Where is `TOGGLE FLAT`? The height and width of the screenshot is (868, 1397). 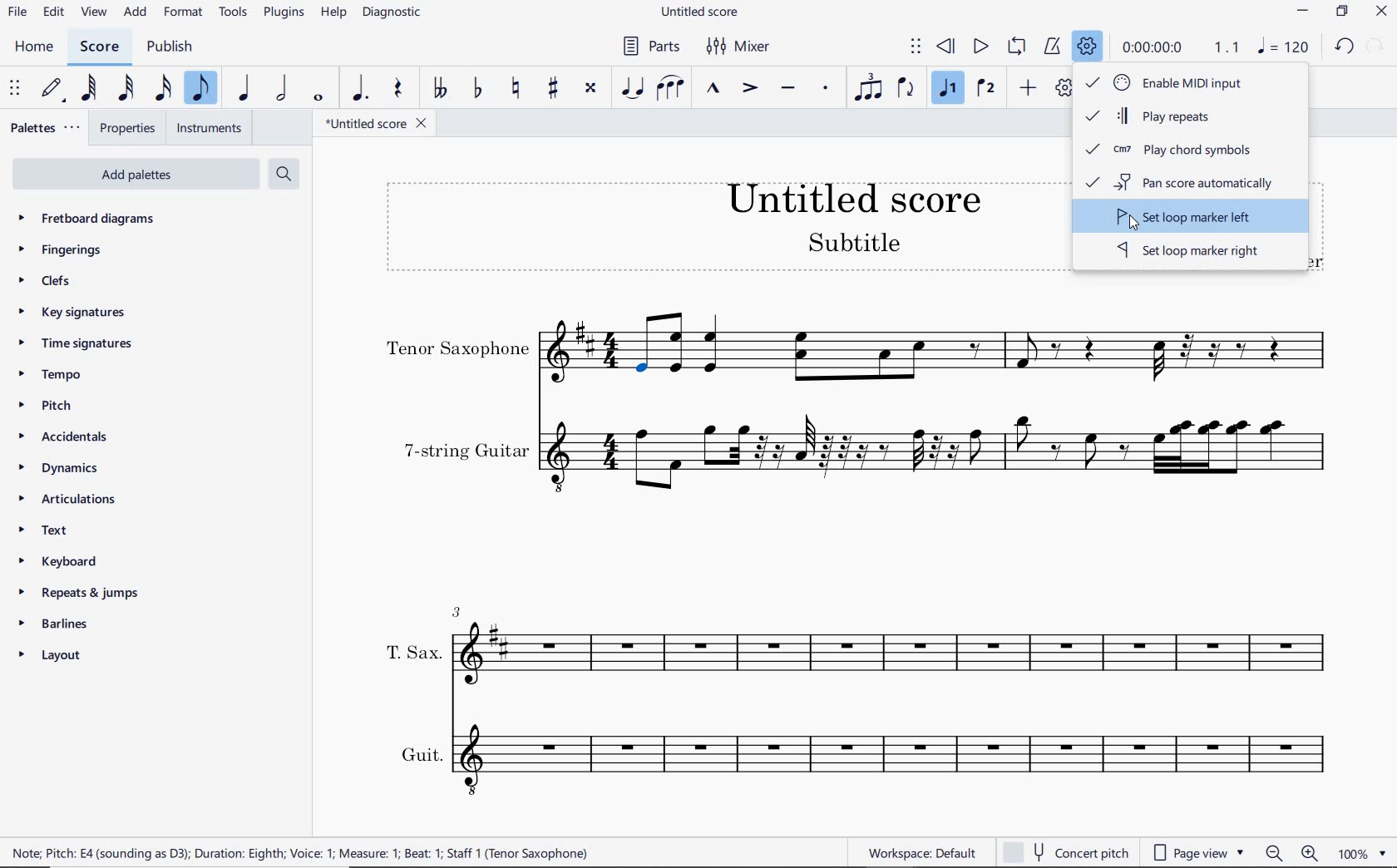 TOGGLE FLAT is located at coordinates (475, 89).